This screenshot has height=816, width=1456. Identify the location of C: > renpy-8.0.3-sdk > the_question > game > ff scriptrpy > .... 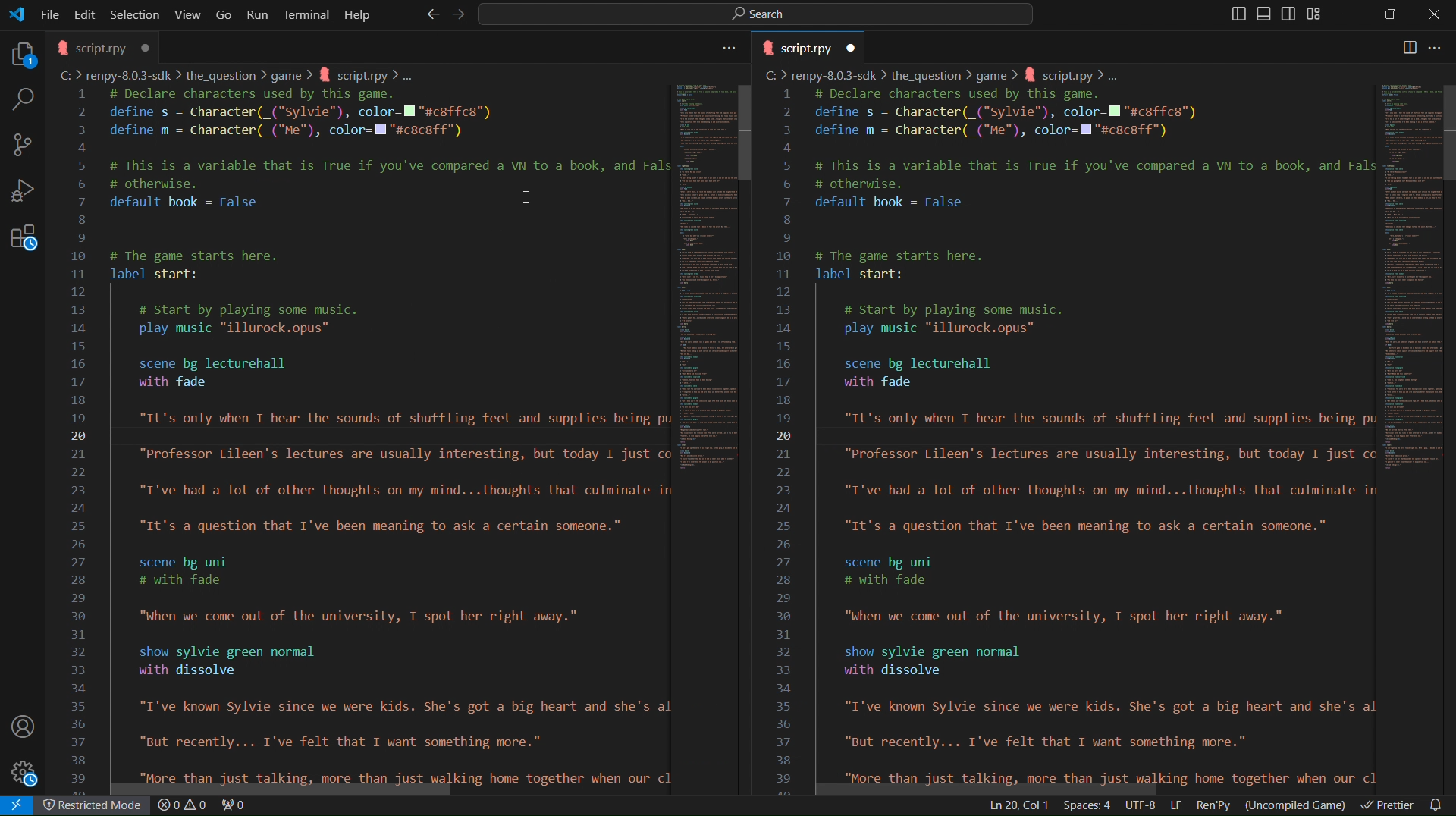
(944, 75).